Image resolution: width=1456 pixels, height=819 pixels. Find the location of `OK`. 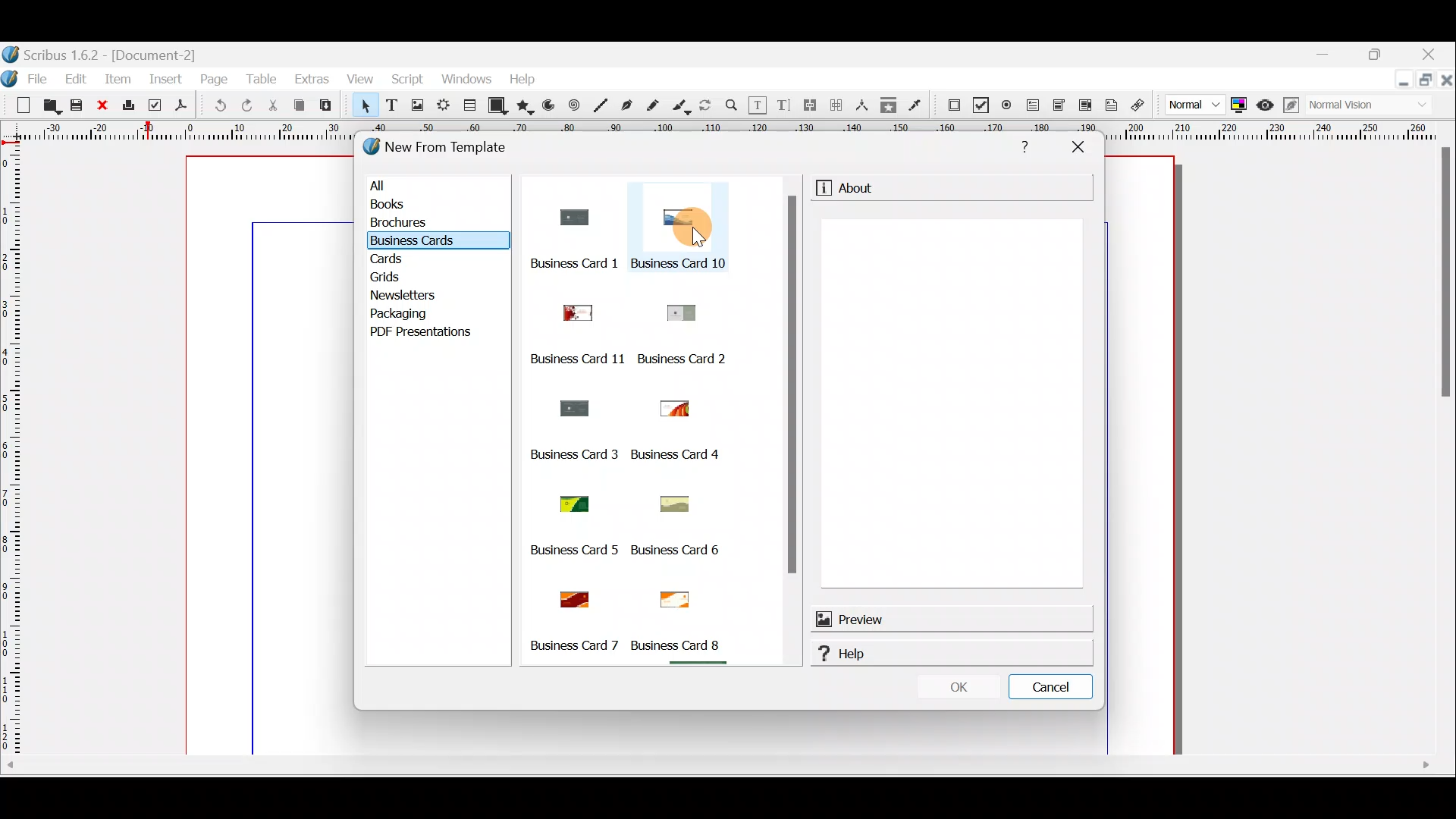

OK is located at coordinates (958, 690).